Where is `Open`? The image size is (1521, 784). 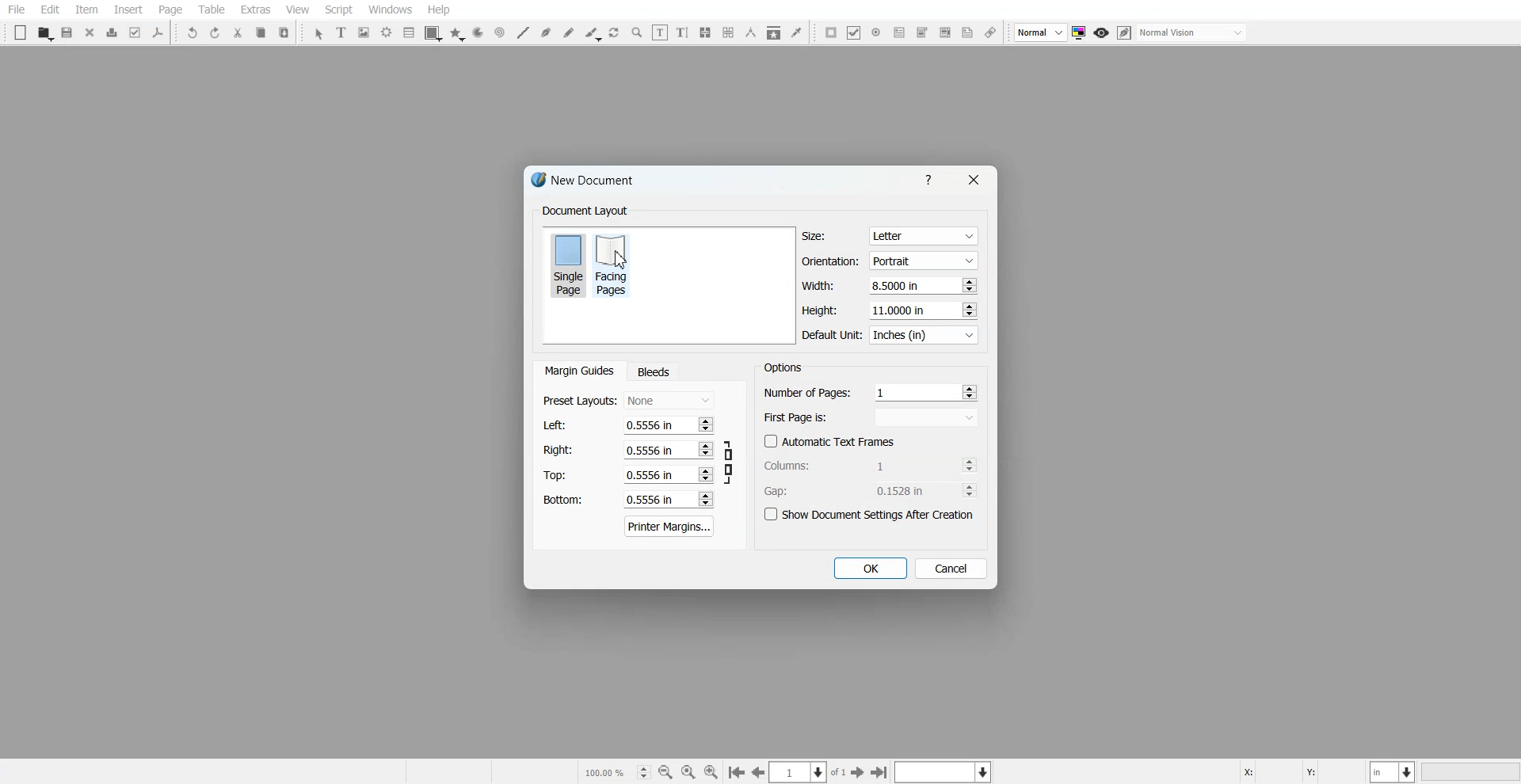
Open is located at coordinates (44, 33).